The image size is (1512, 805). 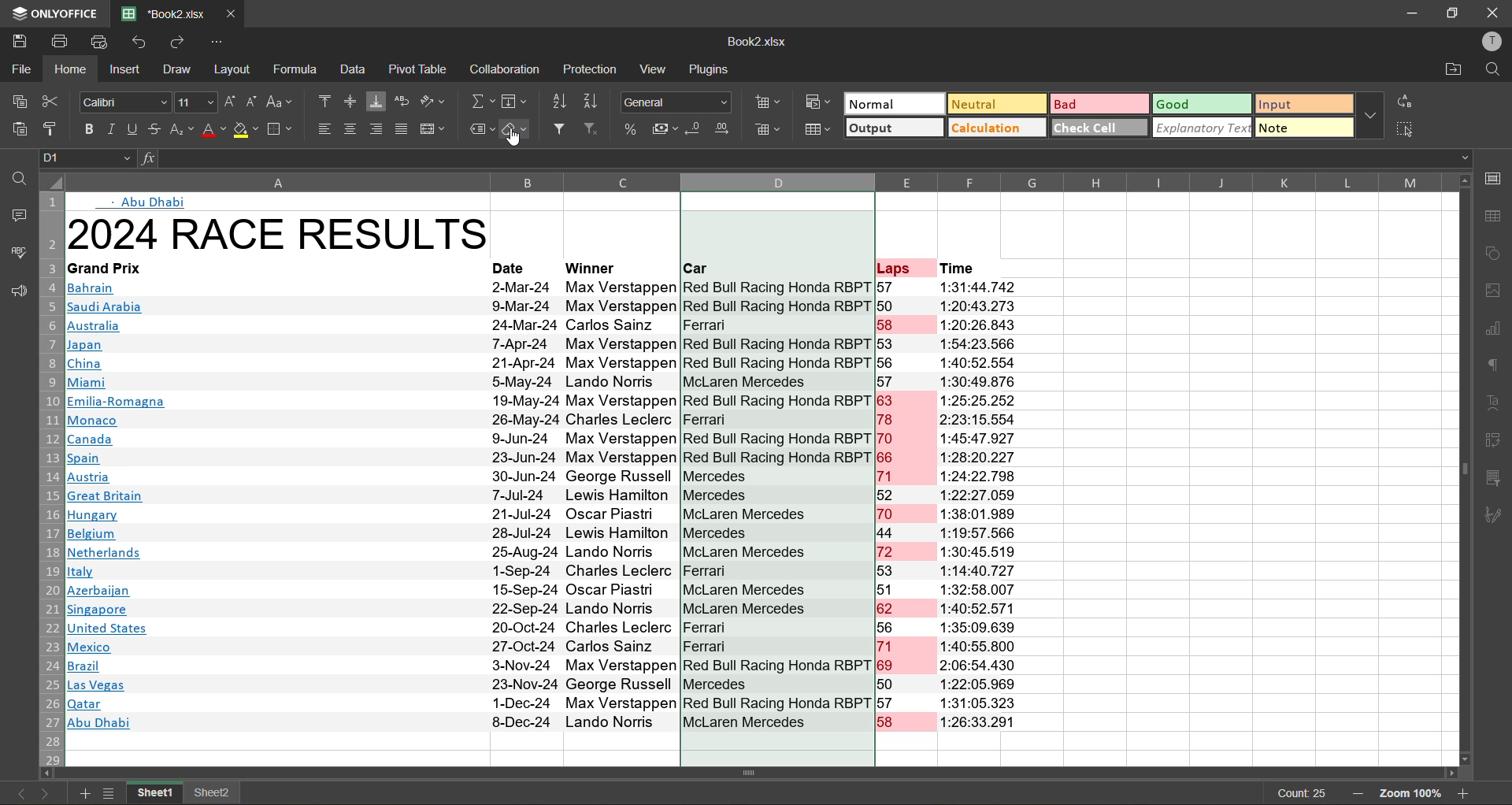 I want to click on increase decimal, so click(x=724, y=128).